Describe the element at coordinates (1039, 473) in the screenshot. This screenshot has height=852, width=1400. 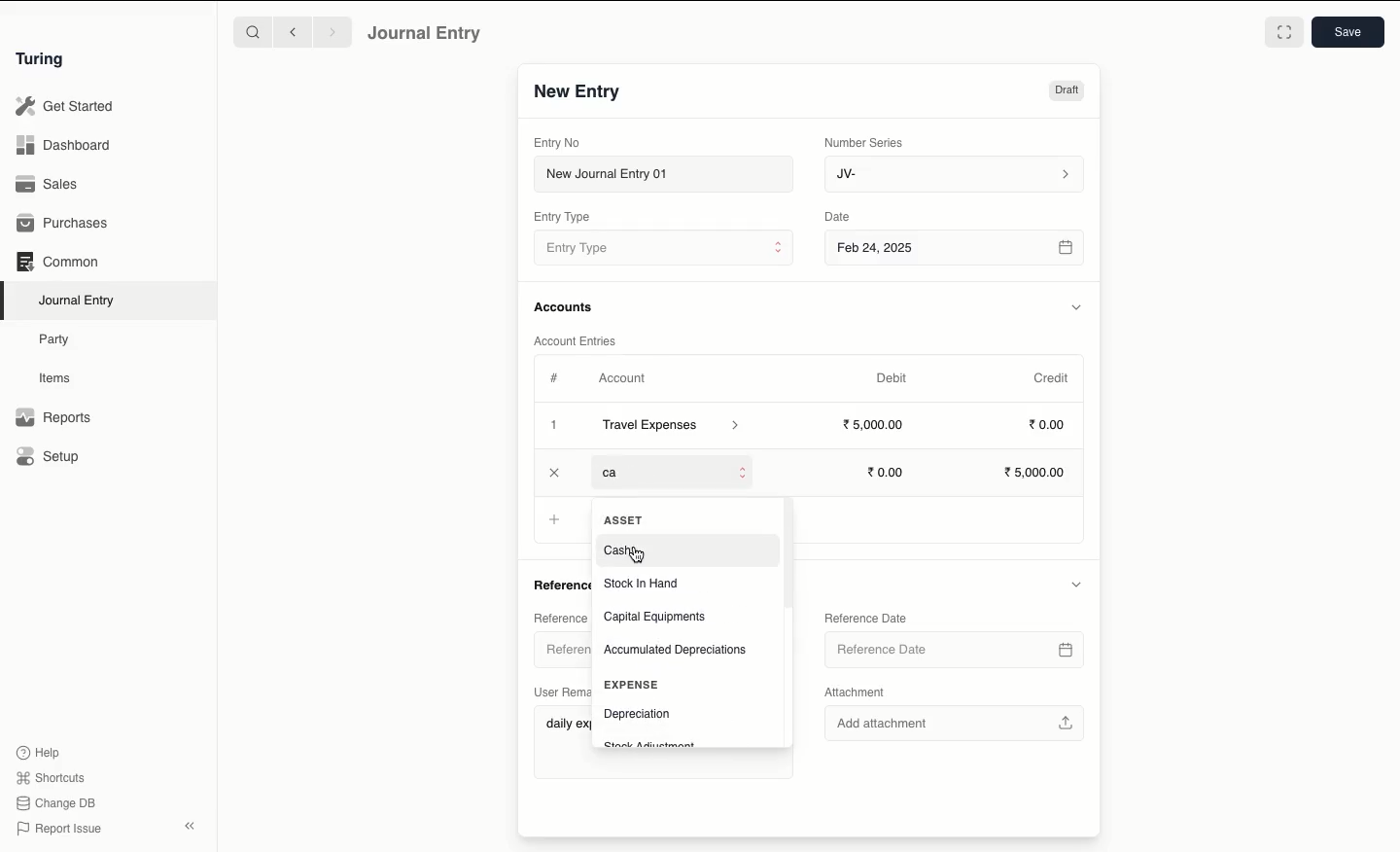
I see `5,000.00` at that location.